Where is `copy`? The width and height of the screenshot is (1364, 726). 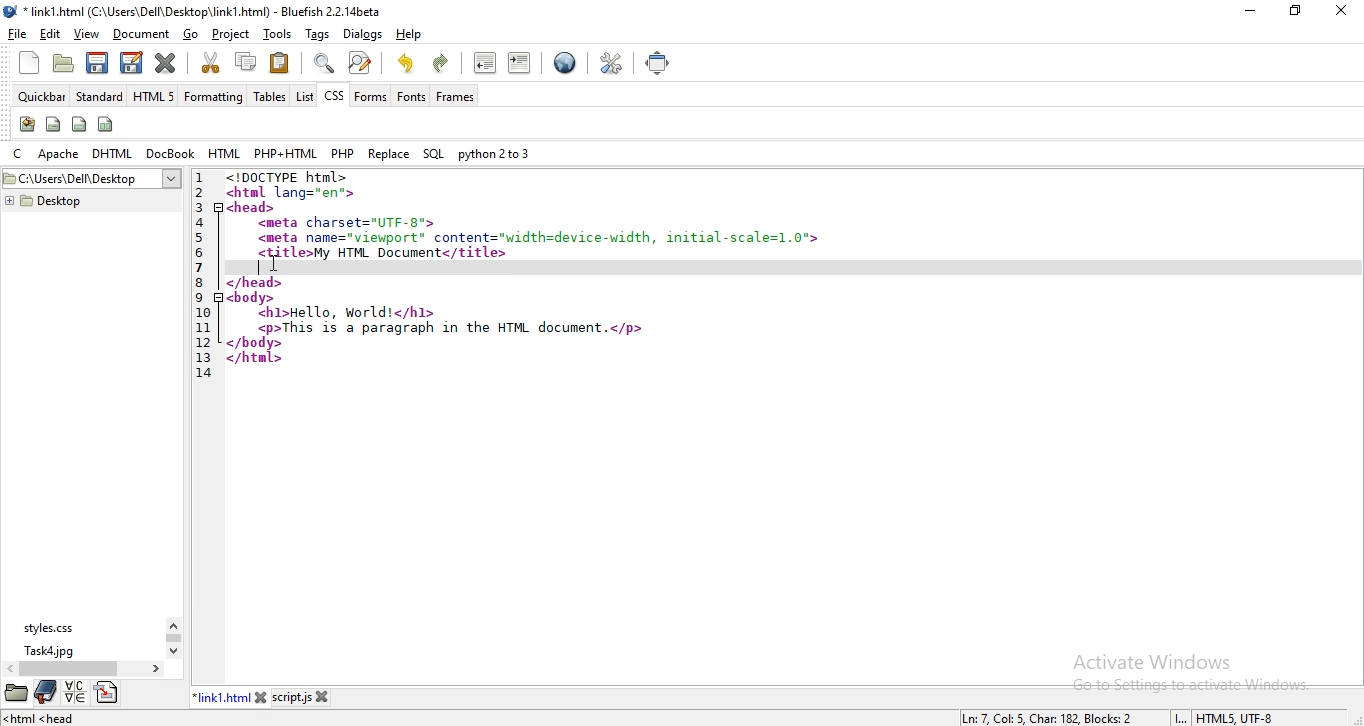 copy is located at coordinates (246, 60).